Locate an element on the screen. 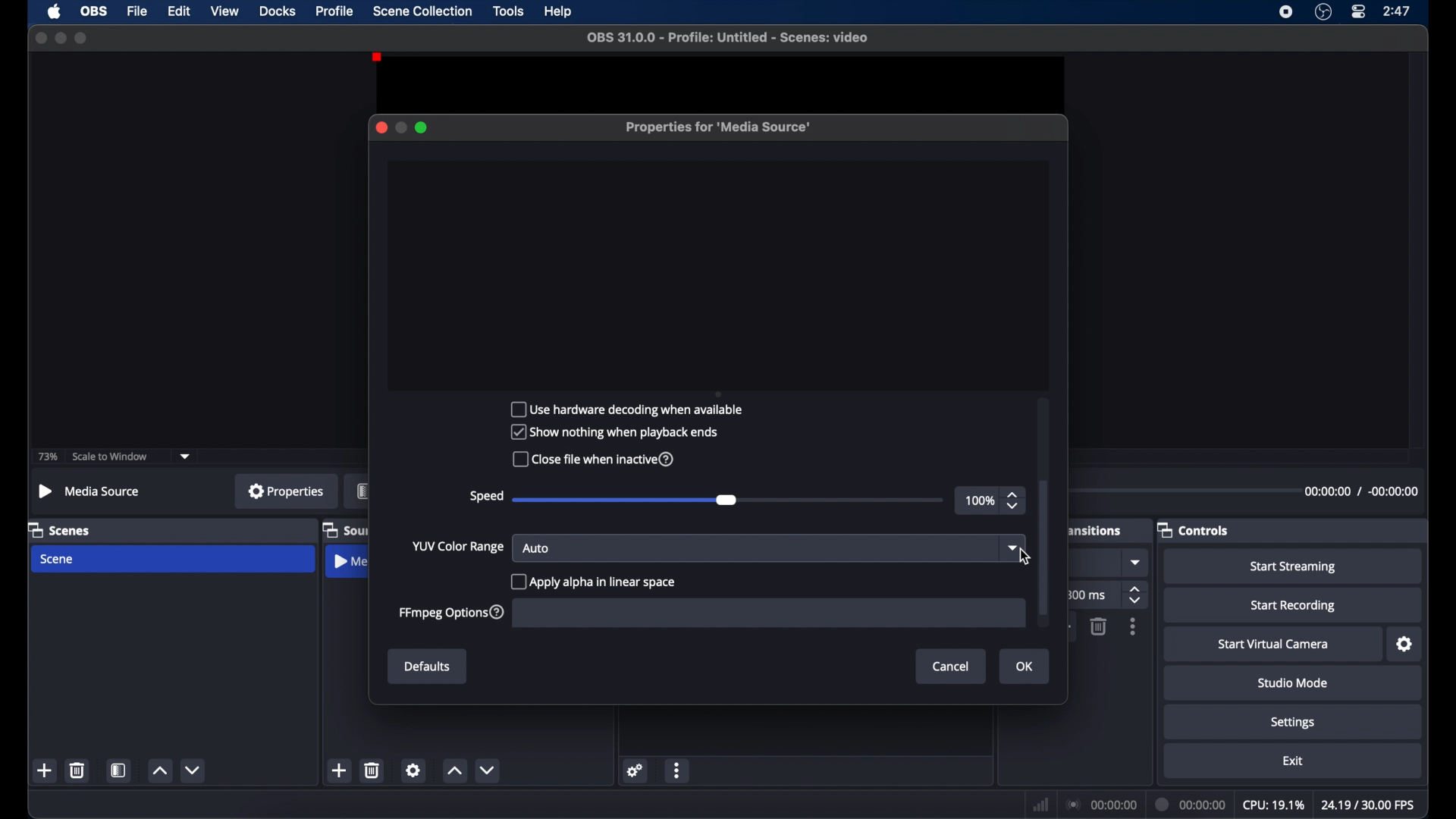  dropdown is located at coordinates (186, 457).